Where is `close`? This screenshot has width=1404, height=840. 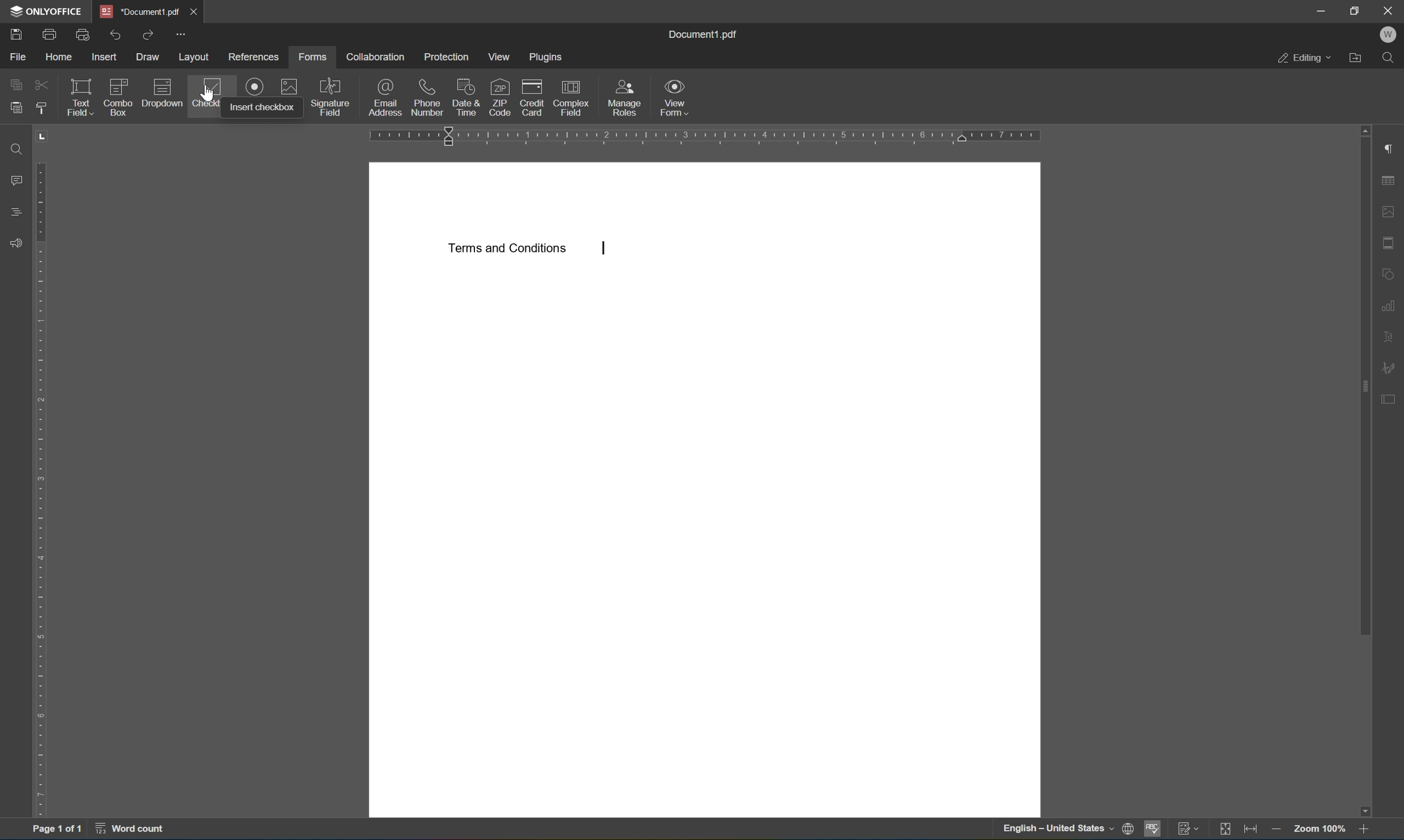 close is located at coordinates (195, 11).